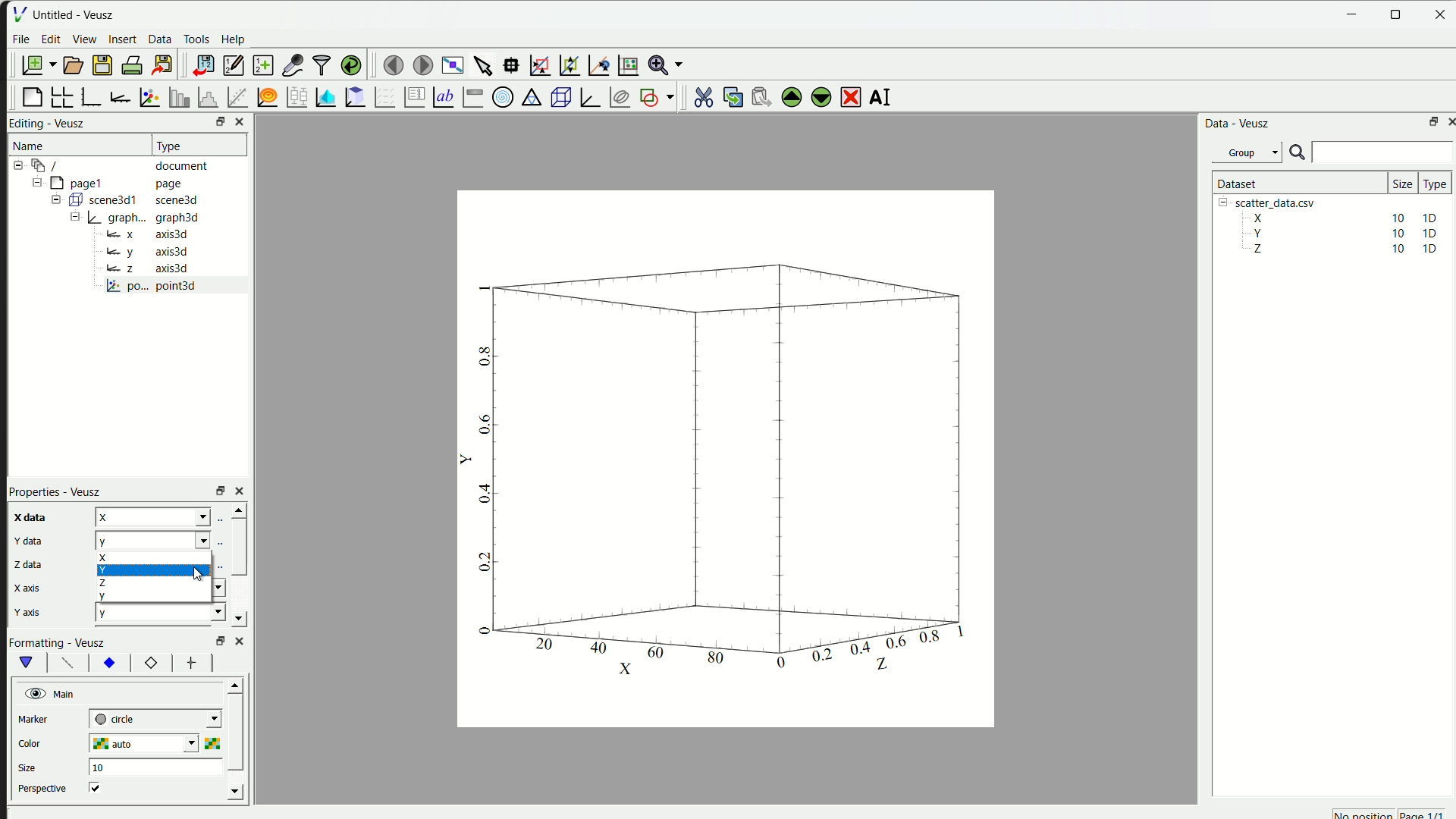 Image resolution: width=1456 pixels, height=819 pixels. Describe the element at coordinates (237, 122) in the screenshot. I see `close` at that location.